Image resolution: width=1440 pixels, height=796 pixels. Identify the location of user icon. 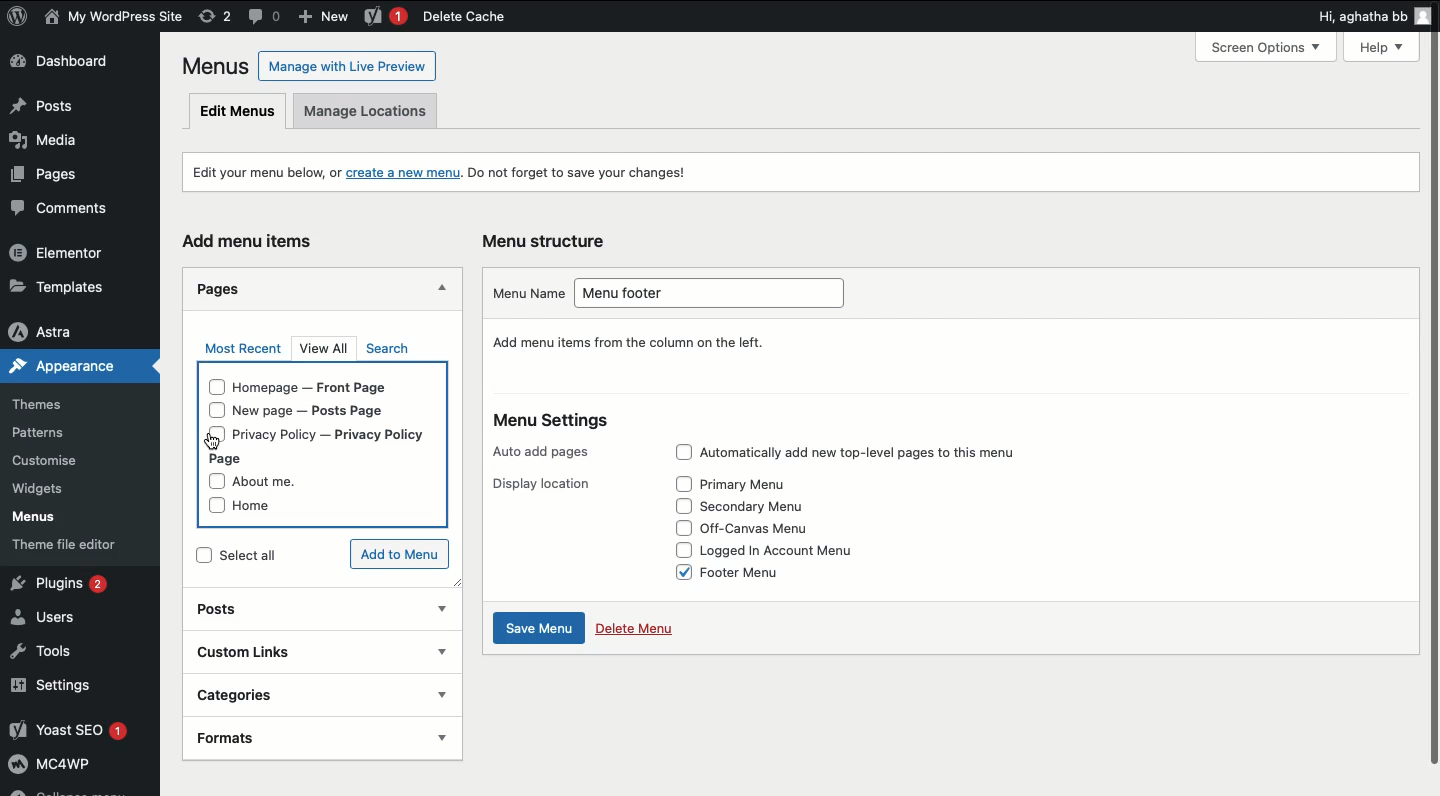
(1424, 18).